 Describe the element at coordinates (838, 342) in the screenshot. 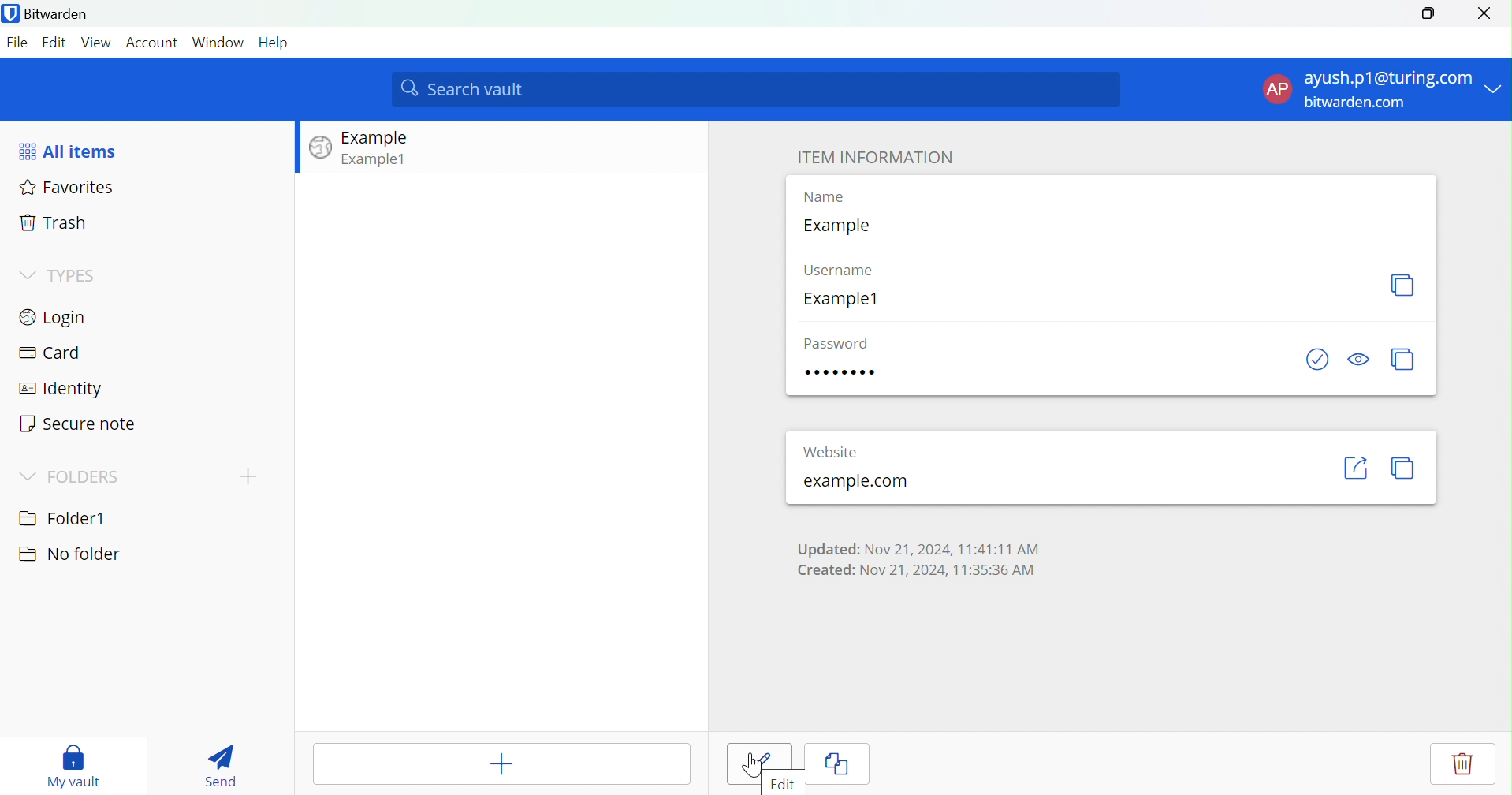

I see `Password` at that location.